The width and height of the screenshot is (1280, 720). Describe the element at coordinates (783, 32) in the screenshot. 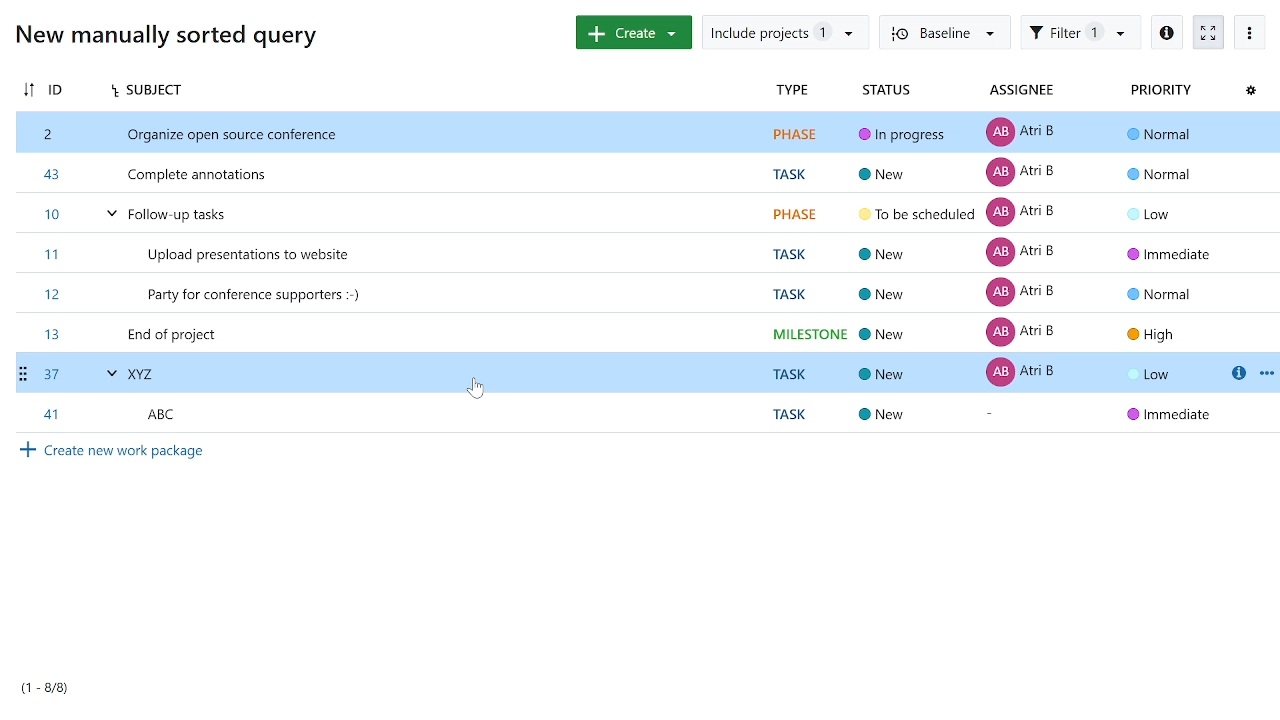

I see `include projects` at that location.